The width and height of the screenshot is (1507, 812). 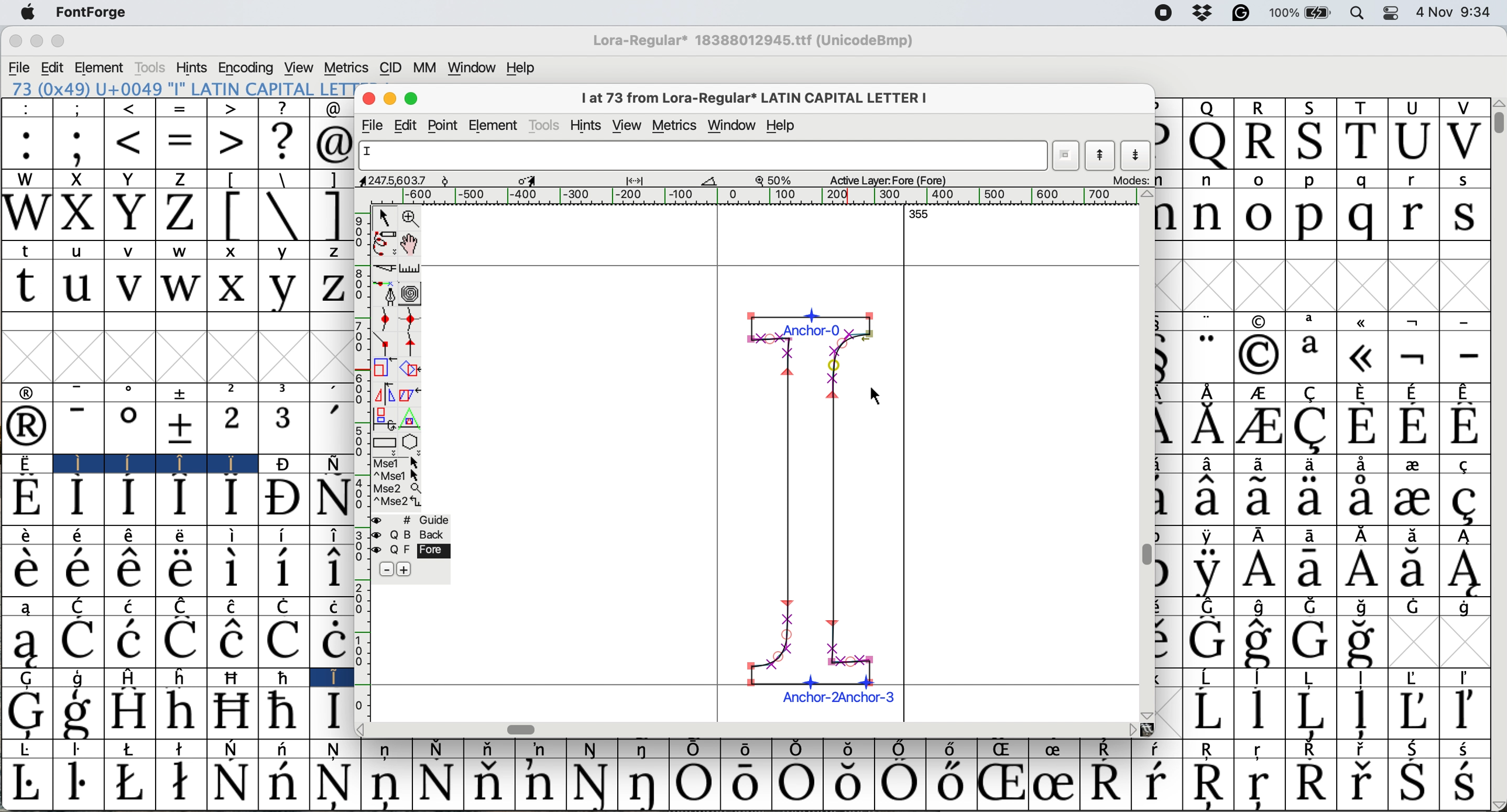 I want to click on r, so click(x=1412, y=215).